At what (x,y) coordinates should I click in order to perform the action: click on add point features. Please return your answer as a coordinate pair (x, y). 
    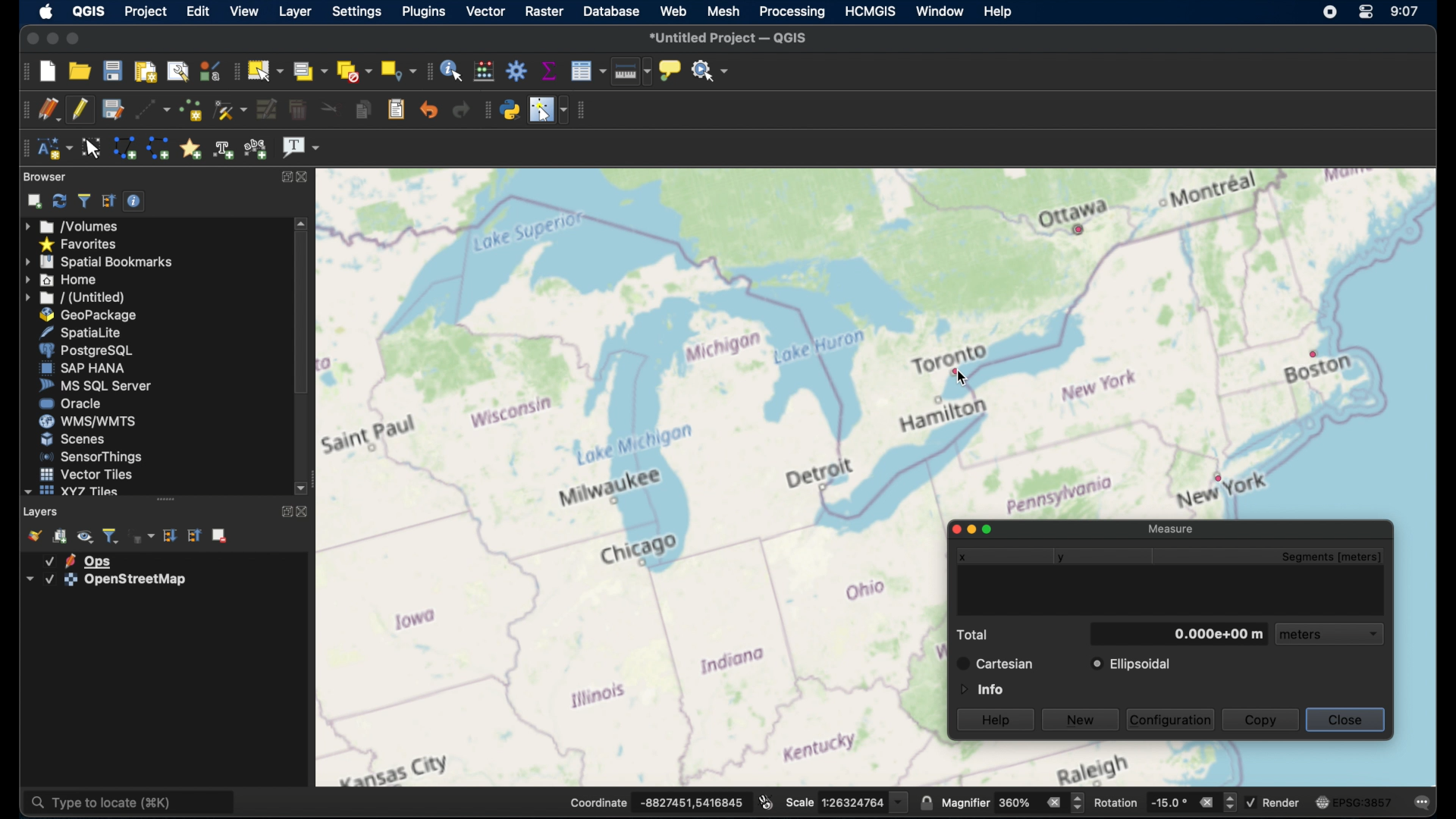
    Looking at the image, I should click on (190, 109).